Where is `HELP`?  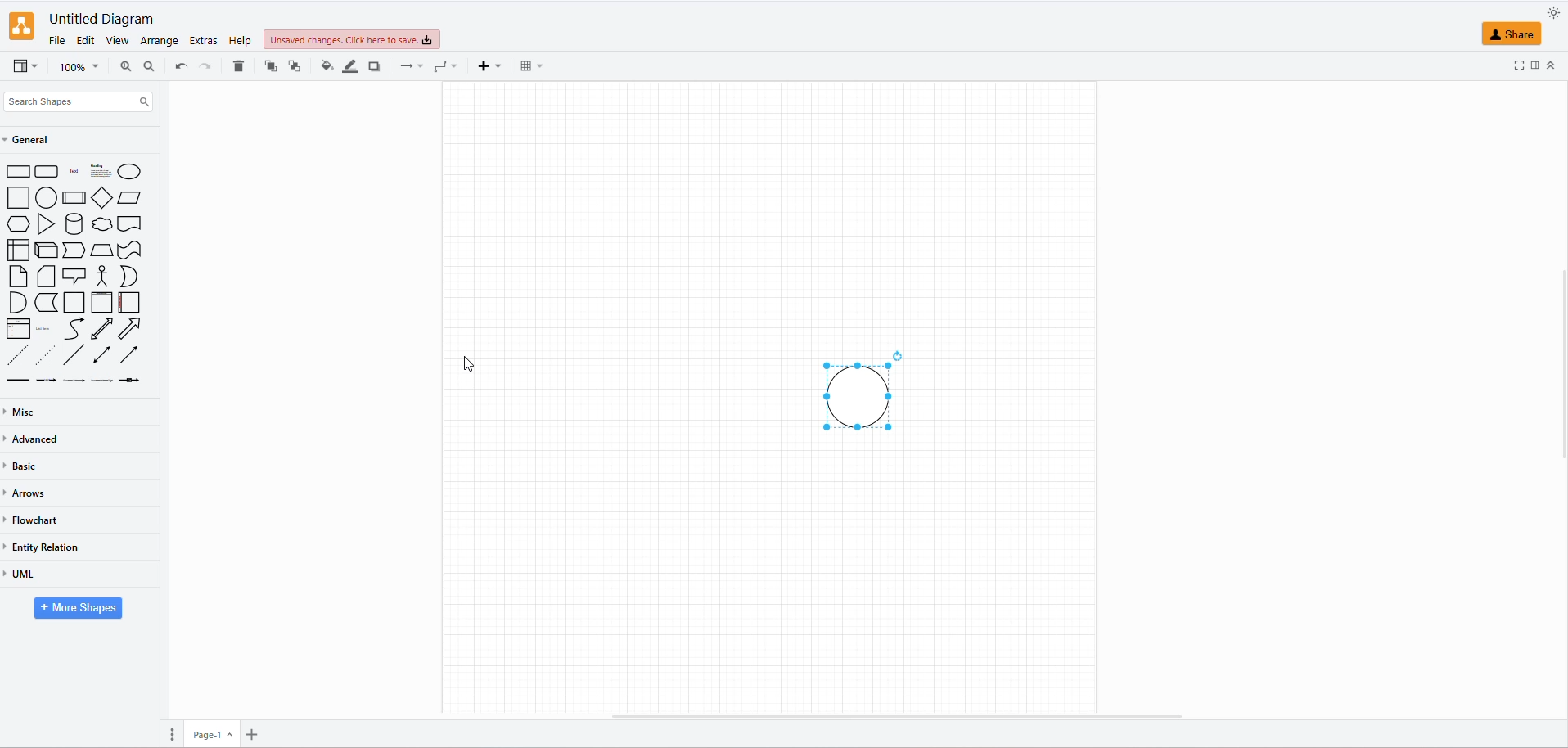
HELP is located at coordinates (237, 42).